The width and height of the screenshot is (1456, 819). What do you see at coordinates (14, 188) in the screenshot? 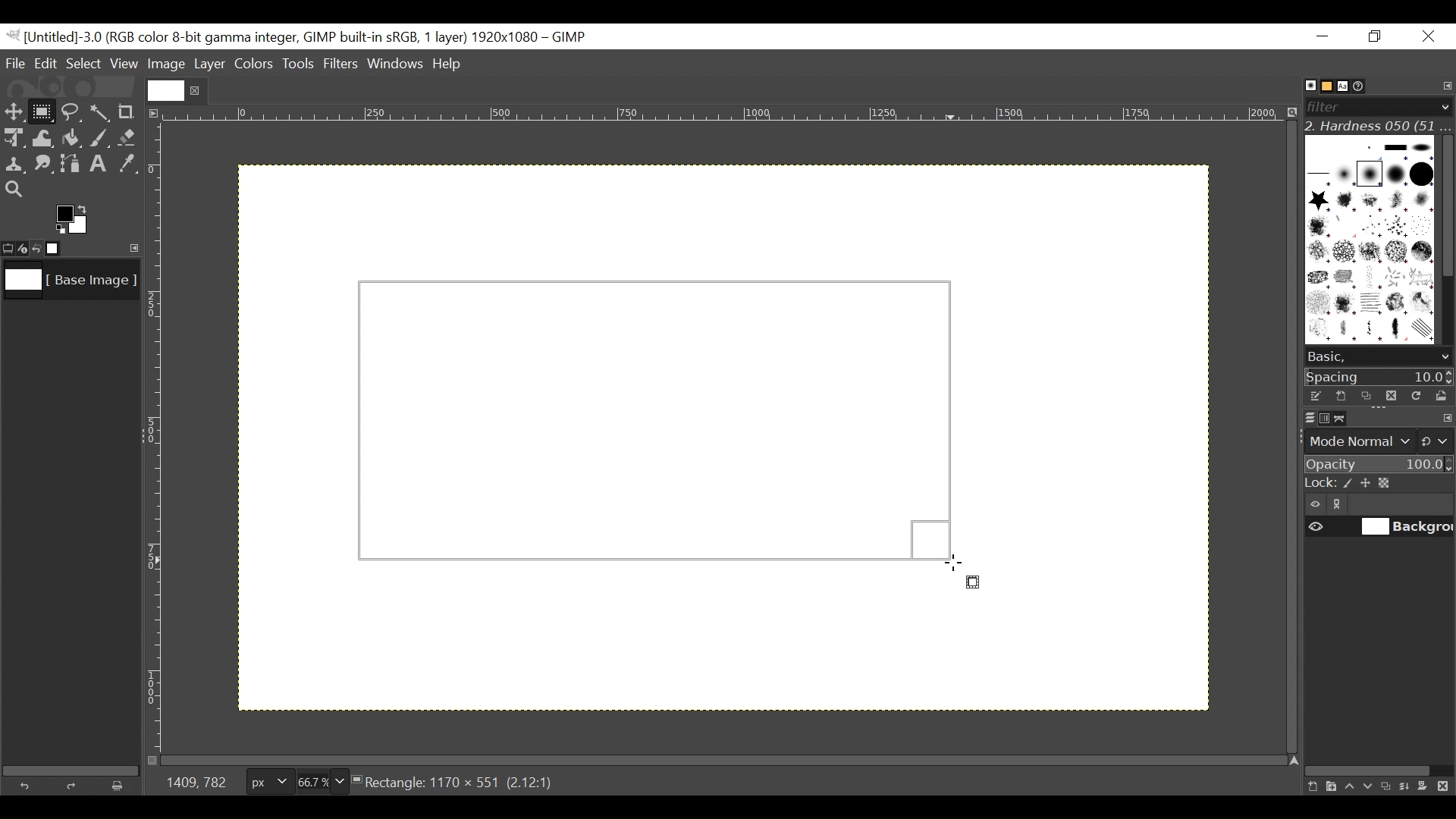
I see `Zoom tool` at bounding box center [14, 188].